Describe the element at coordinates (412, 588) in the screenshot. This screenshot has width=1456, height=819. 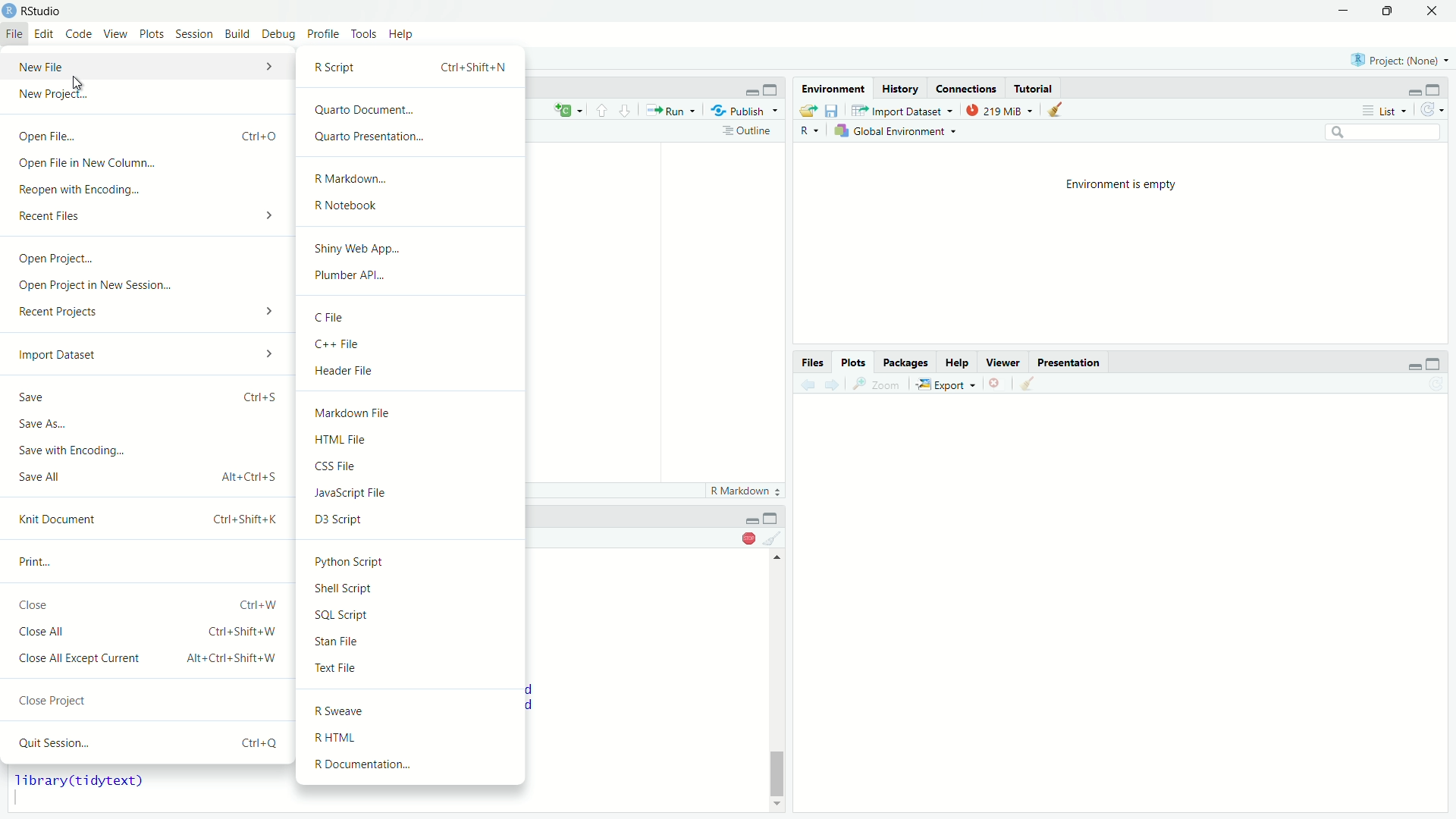
I see `Shell Script` at that location.